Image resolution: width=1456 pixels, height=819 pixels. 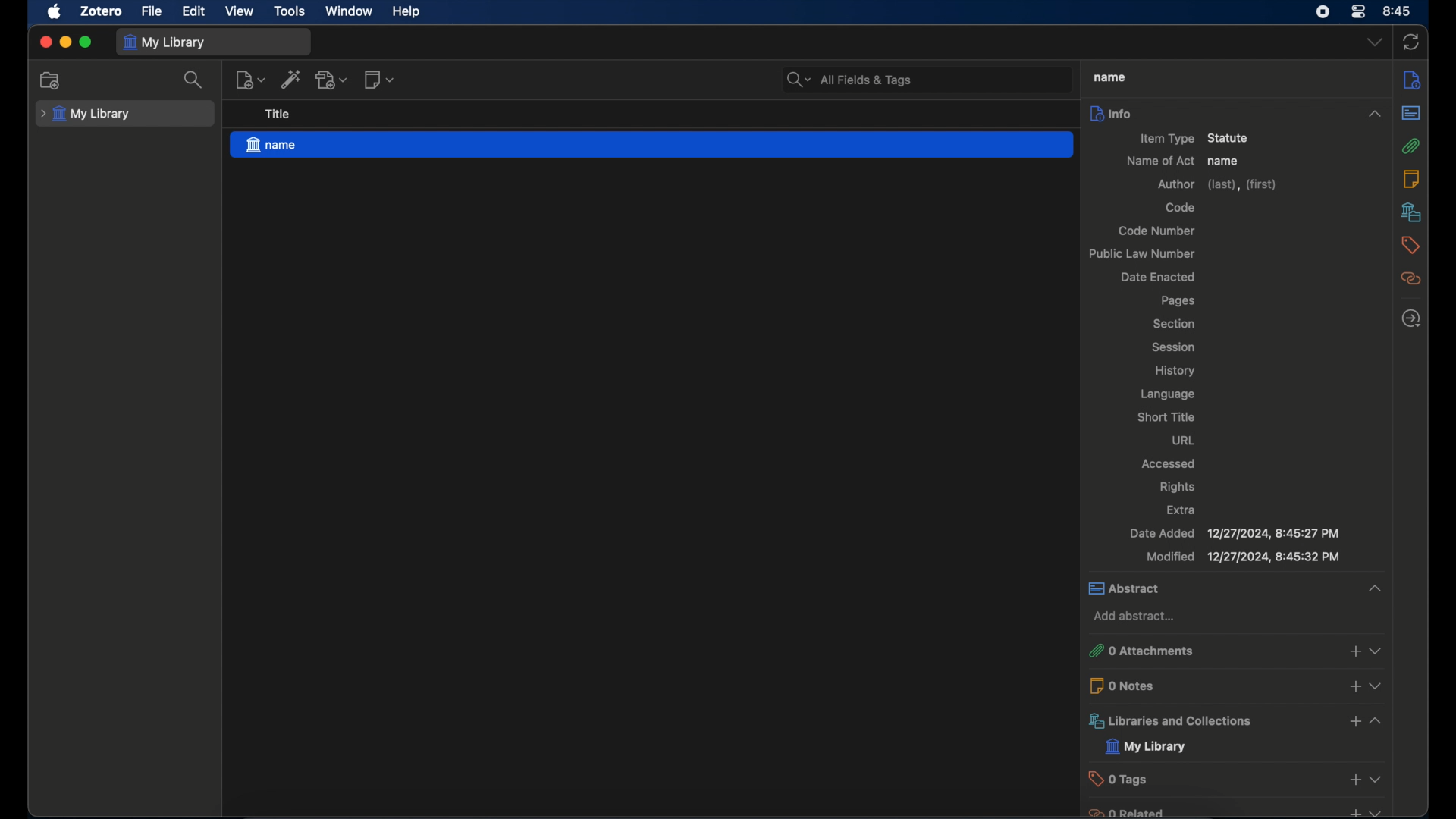 I want to click on attachments, so click(x=1411, y=146).